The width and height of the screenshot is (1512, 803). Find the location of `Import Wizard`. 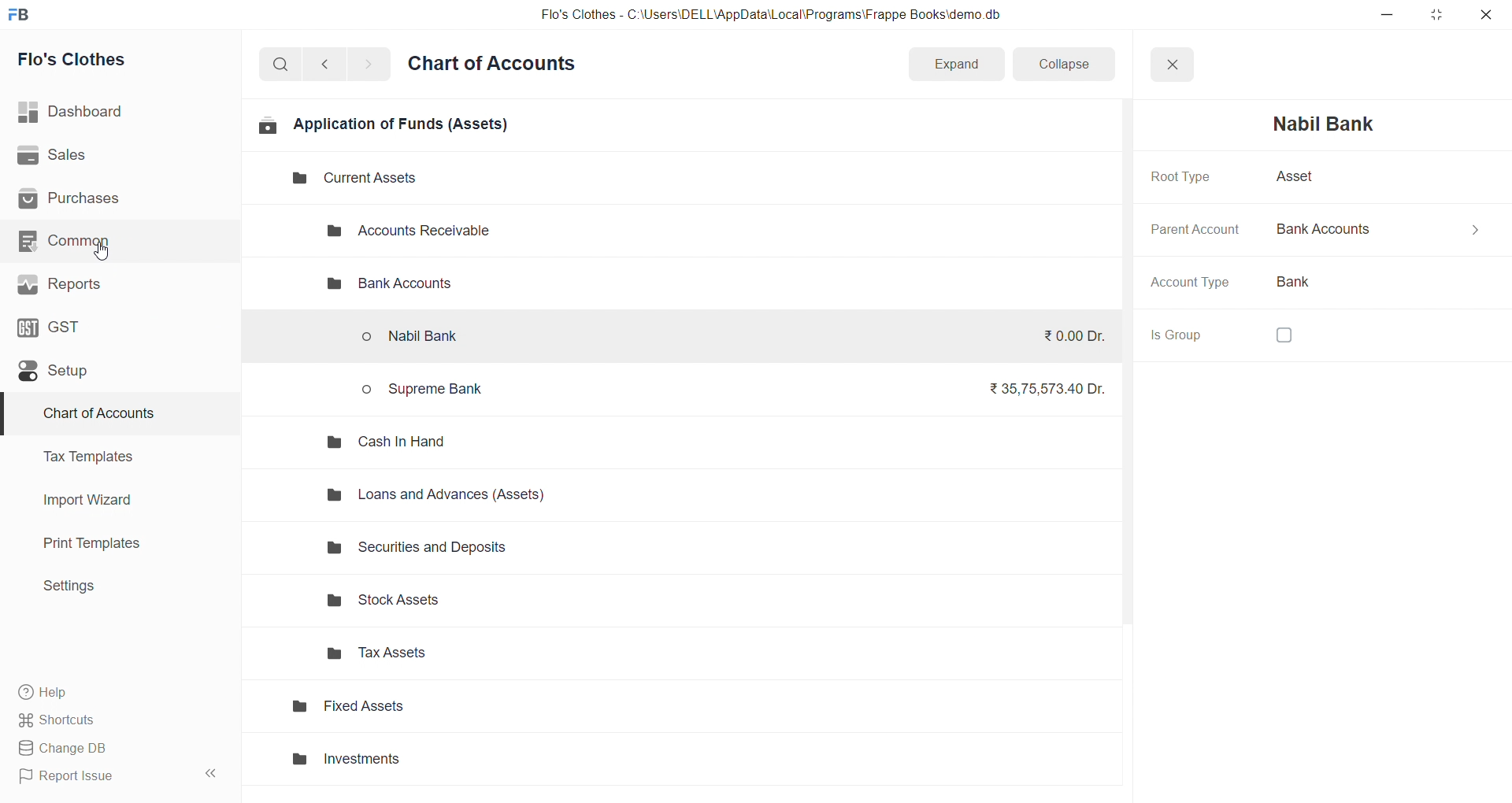

Import Wizard is located at coordinates (112, 500).